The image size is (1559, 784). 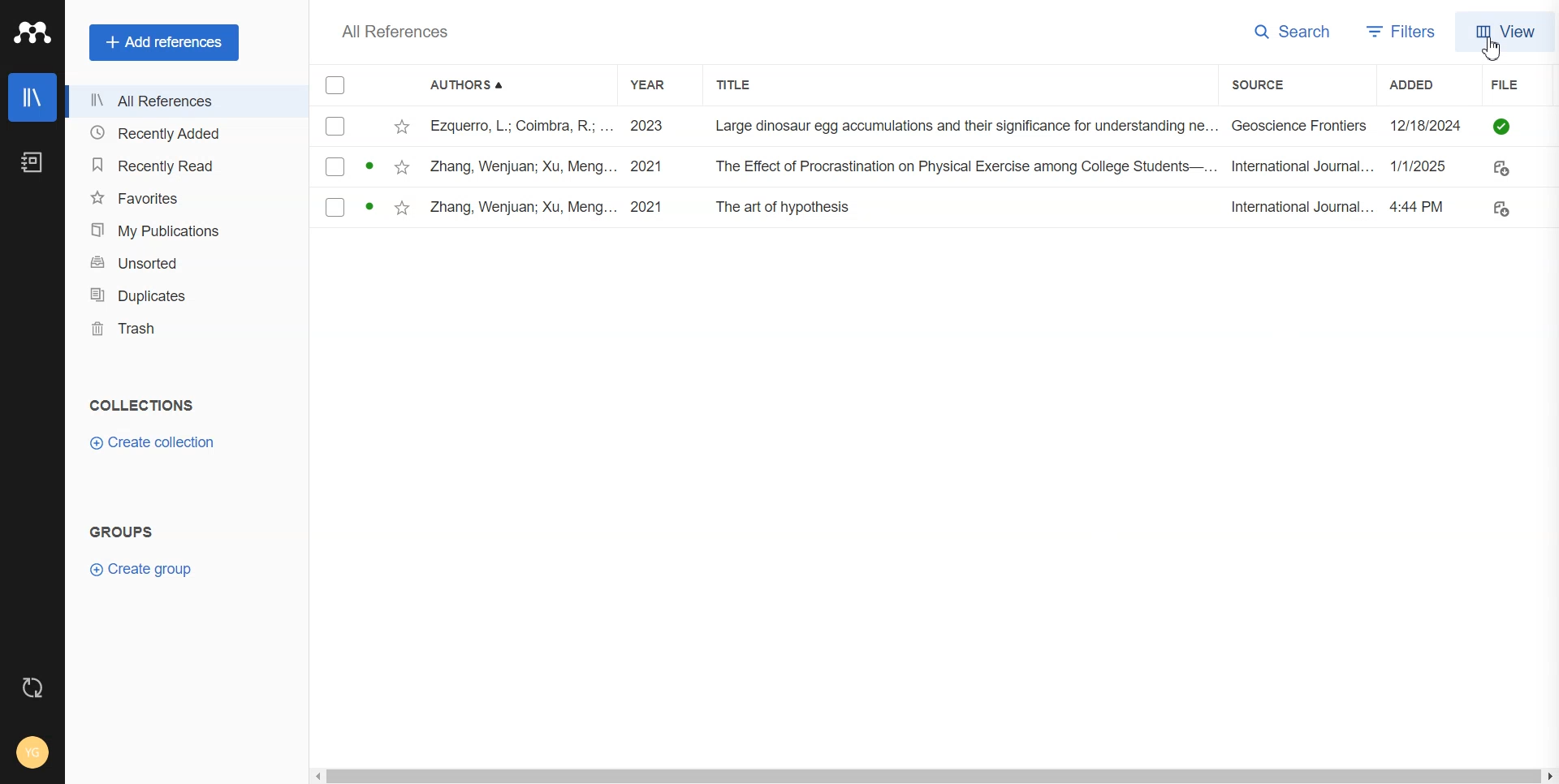 I want to click on File, so click(x=935, y=166).